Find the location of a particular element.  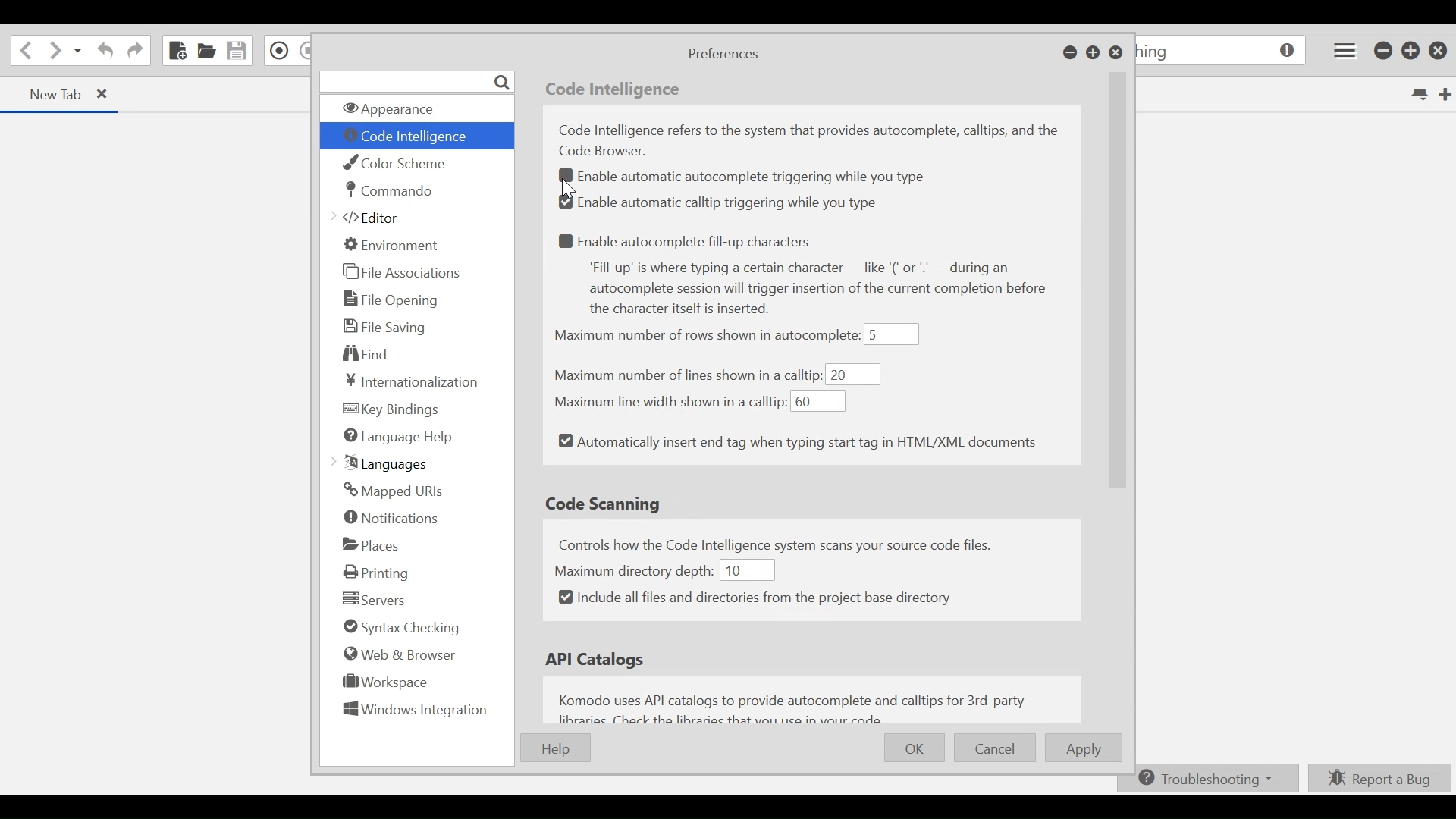

Code Intelligence is located at coordinates (415, 136).